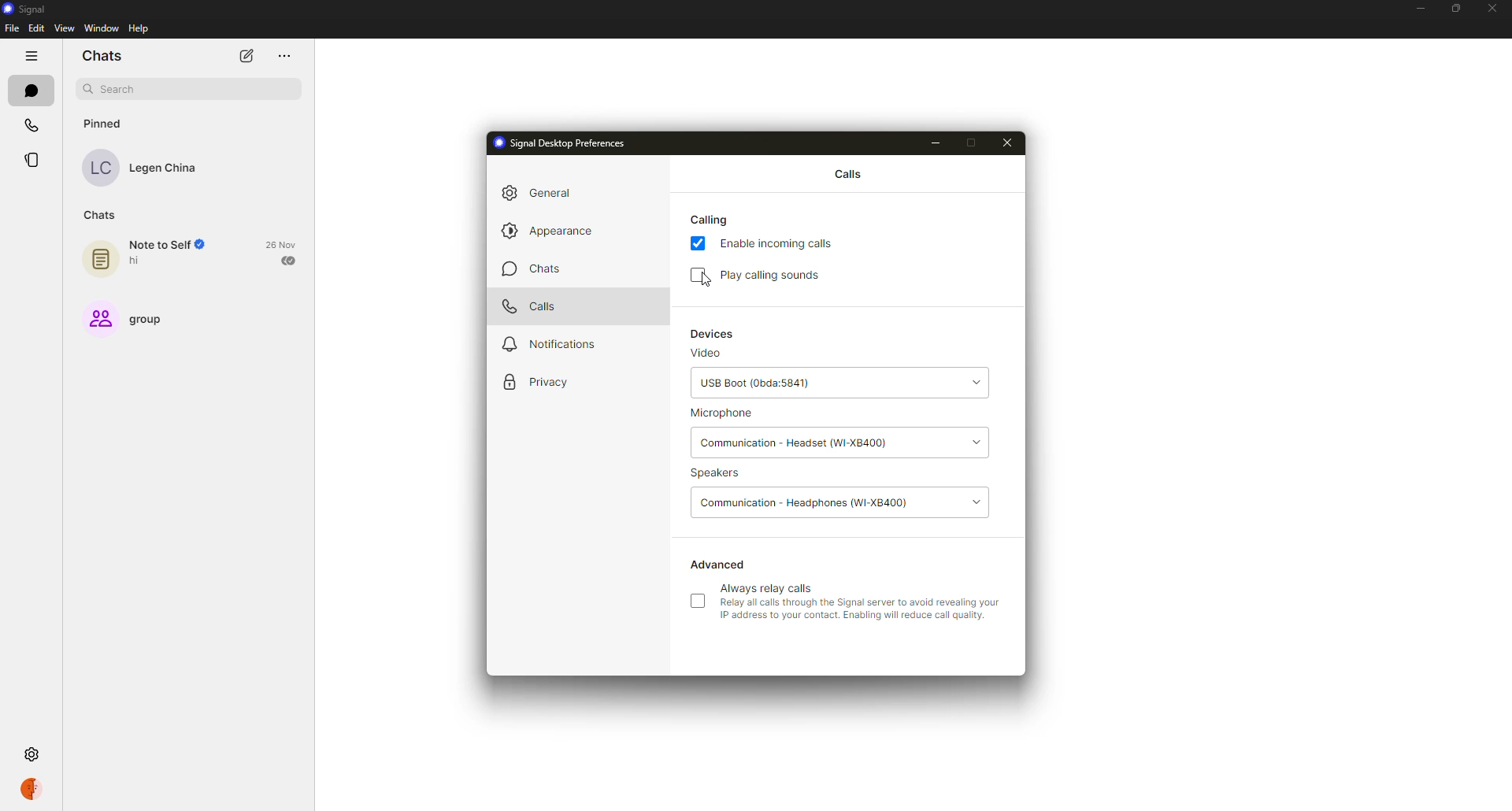 This screenshot has height=811, width=1512. Describe the element at coordinates (699, 244) in the screenshot. I see `enabled` at that location.